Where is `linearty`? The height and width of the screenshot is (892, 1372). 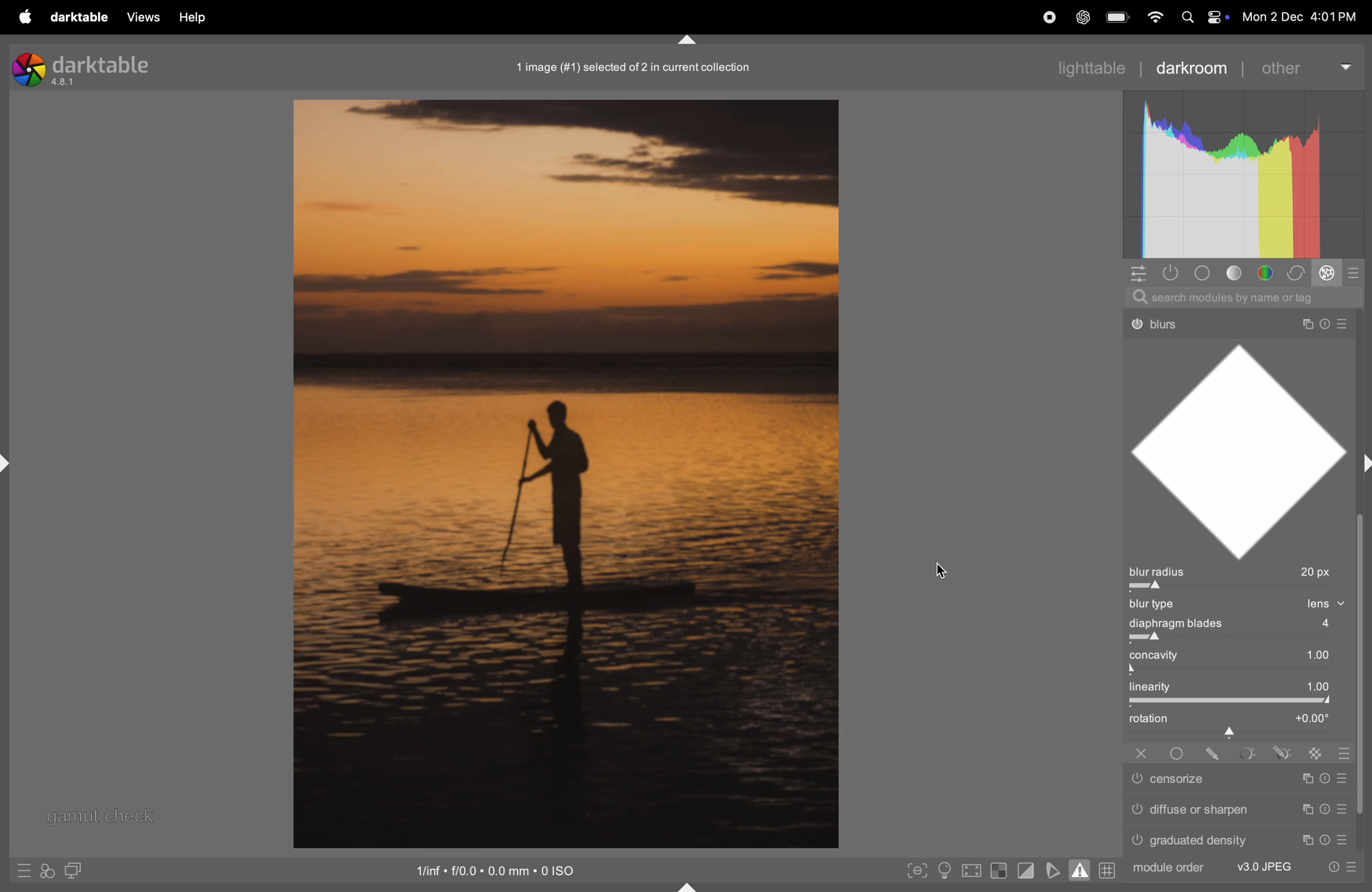 linearty is located at coordinates (1238, 687).